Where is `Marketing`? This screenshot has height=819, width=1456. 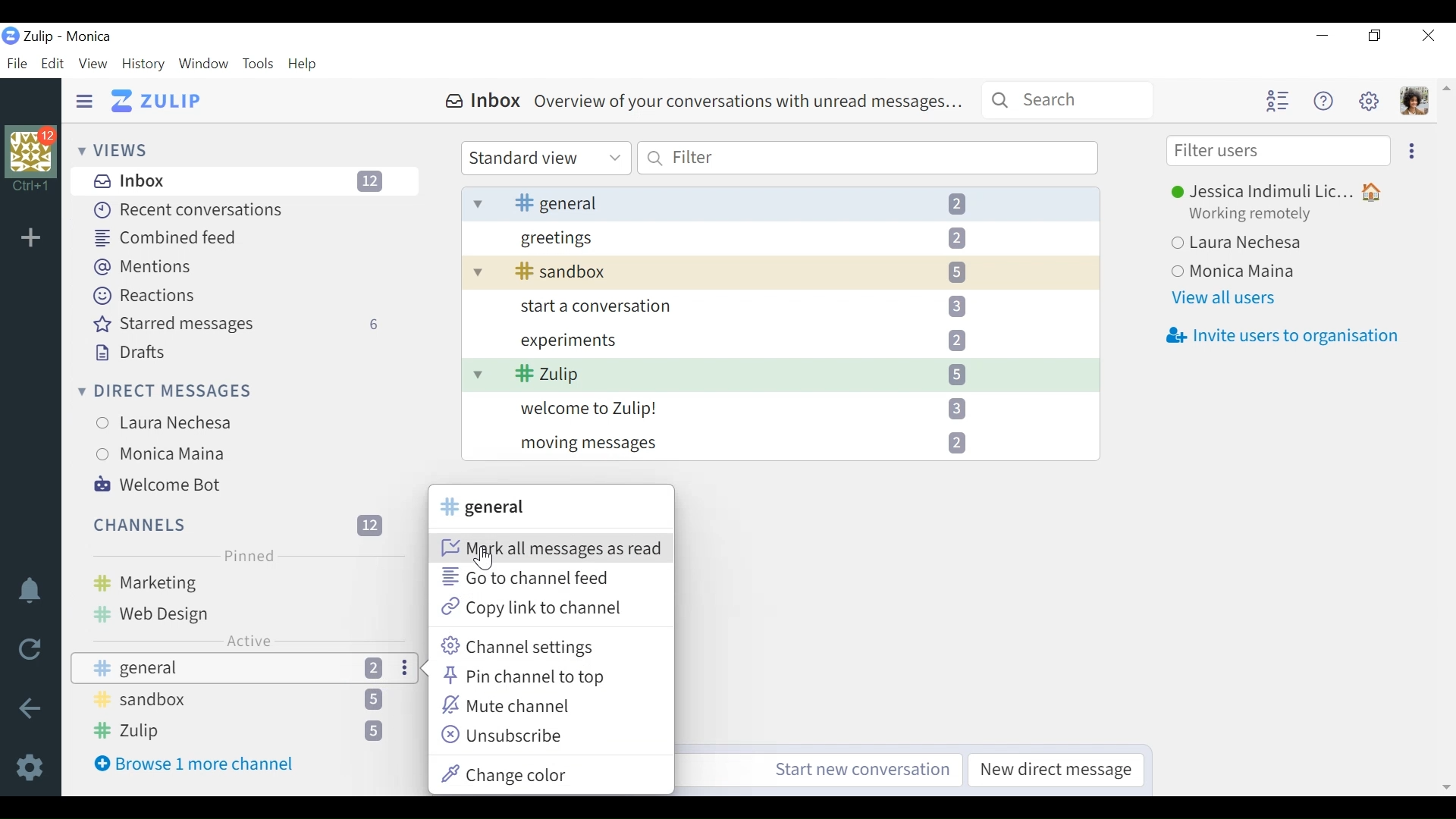
Marketing is located at coordinates (238, 582).